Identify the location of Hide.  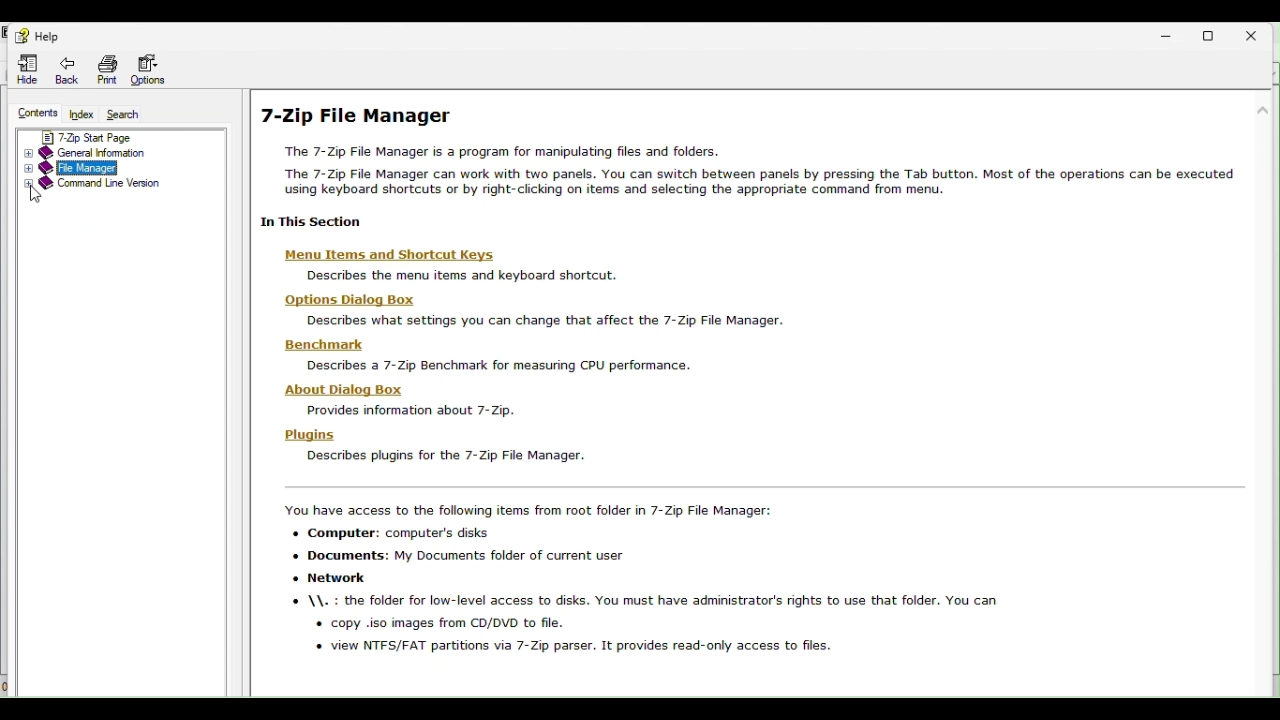
(24, 67).